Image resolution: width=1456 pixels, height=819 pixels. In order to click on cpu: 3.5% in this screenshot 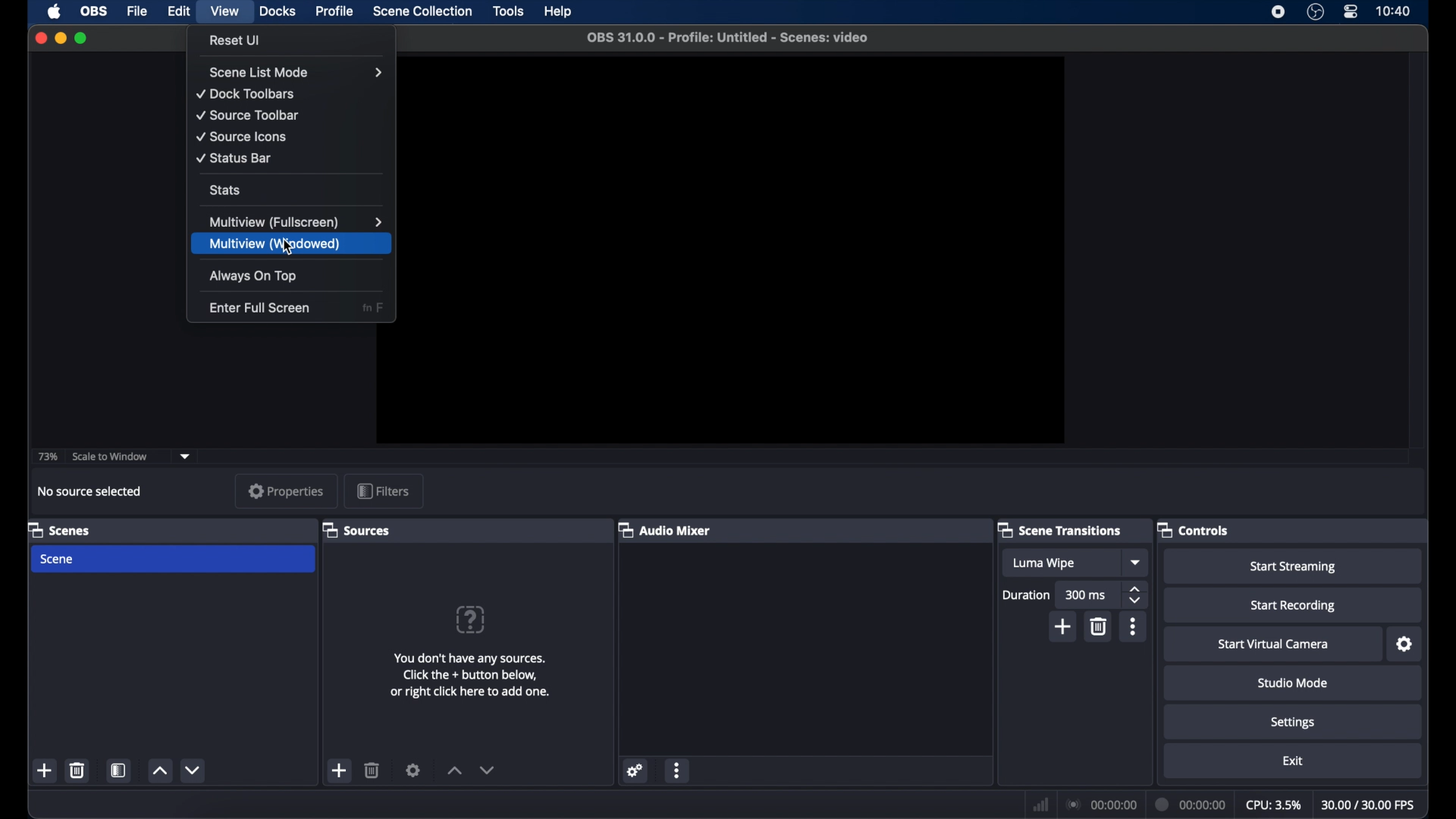, I will do `click(1273, 804)`.